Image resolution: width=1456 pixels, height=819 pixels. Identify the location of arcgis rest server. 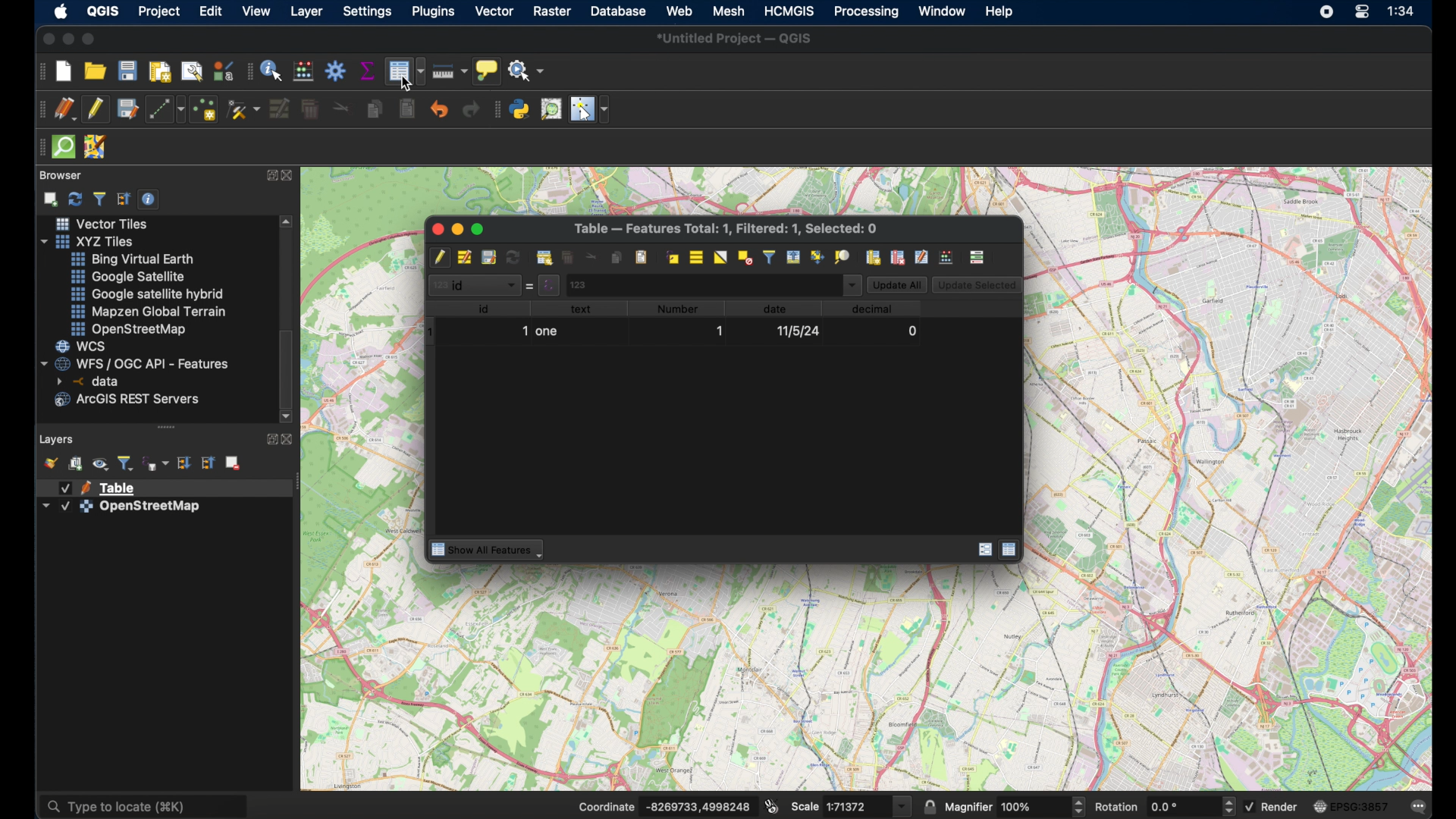
(129, 400).